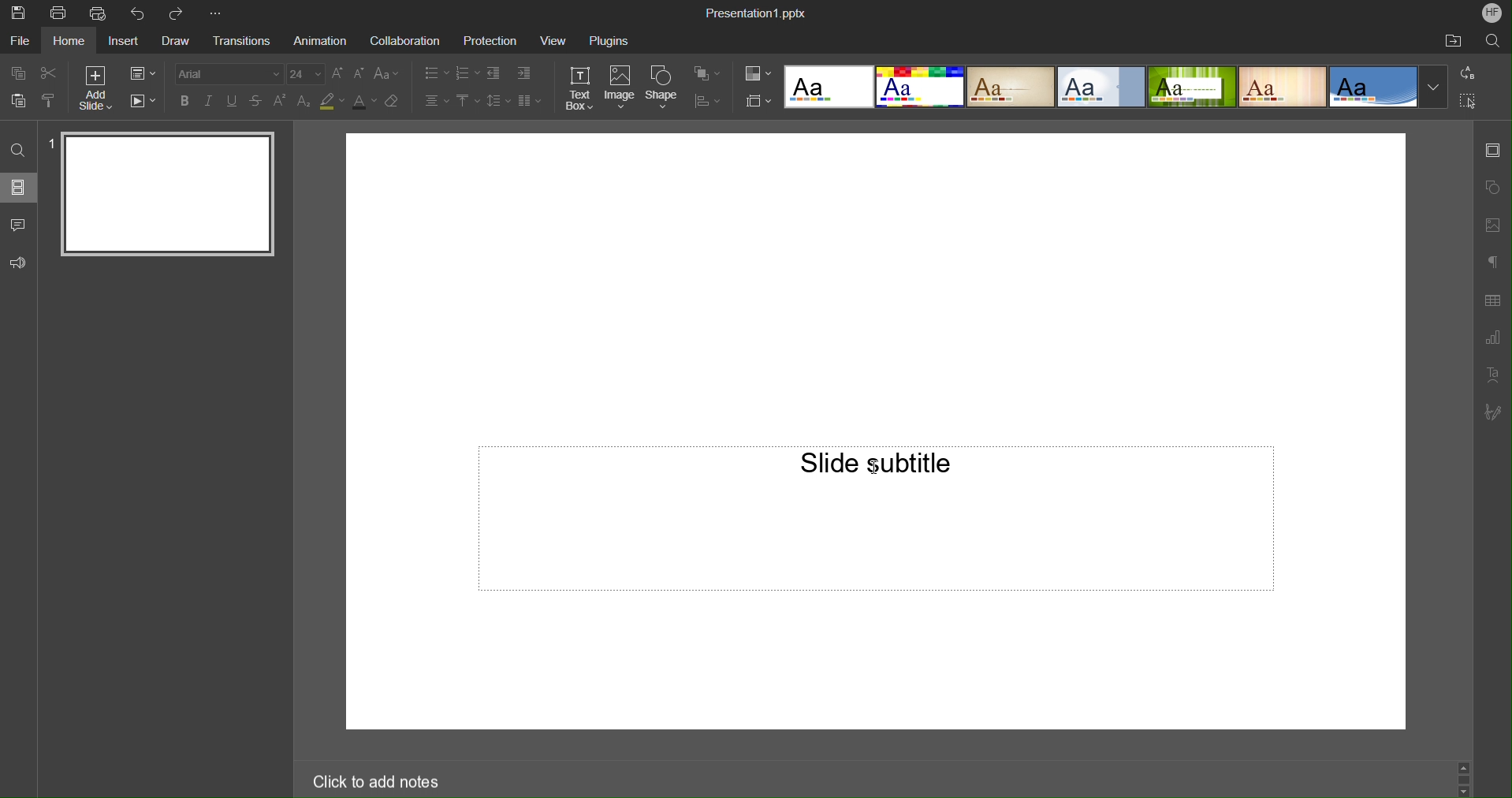 The width and height of the screenshot is (1512, 798). I want to click on Playback, so click(143, 103).